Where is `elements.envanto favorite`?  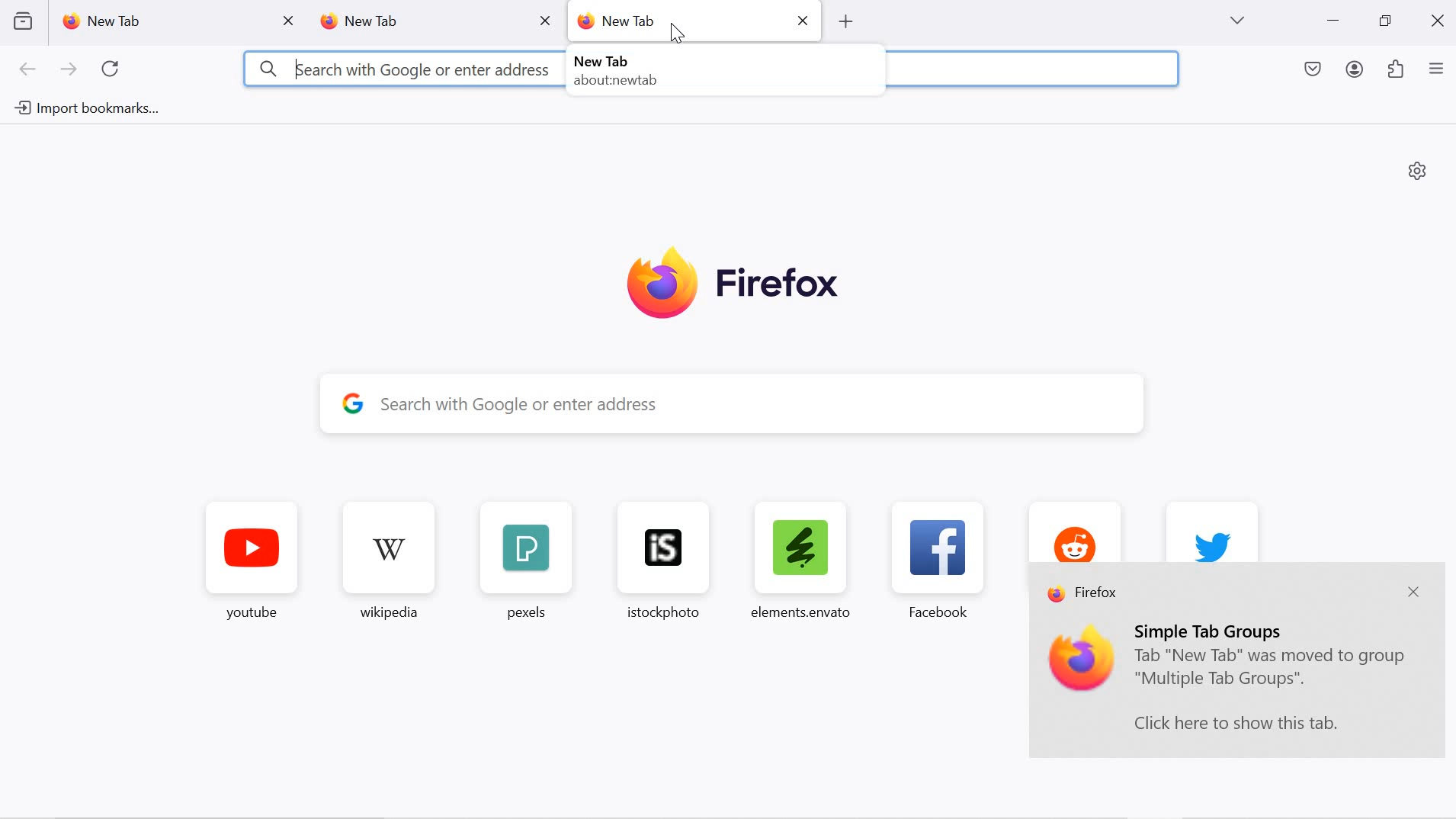 elements.envanto favorite is located at coordinates (799, 559).